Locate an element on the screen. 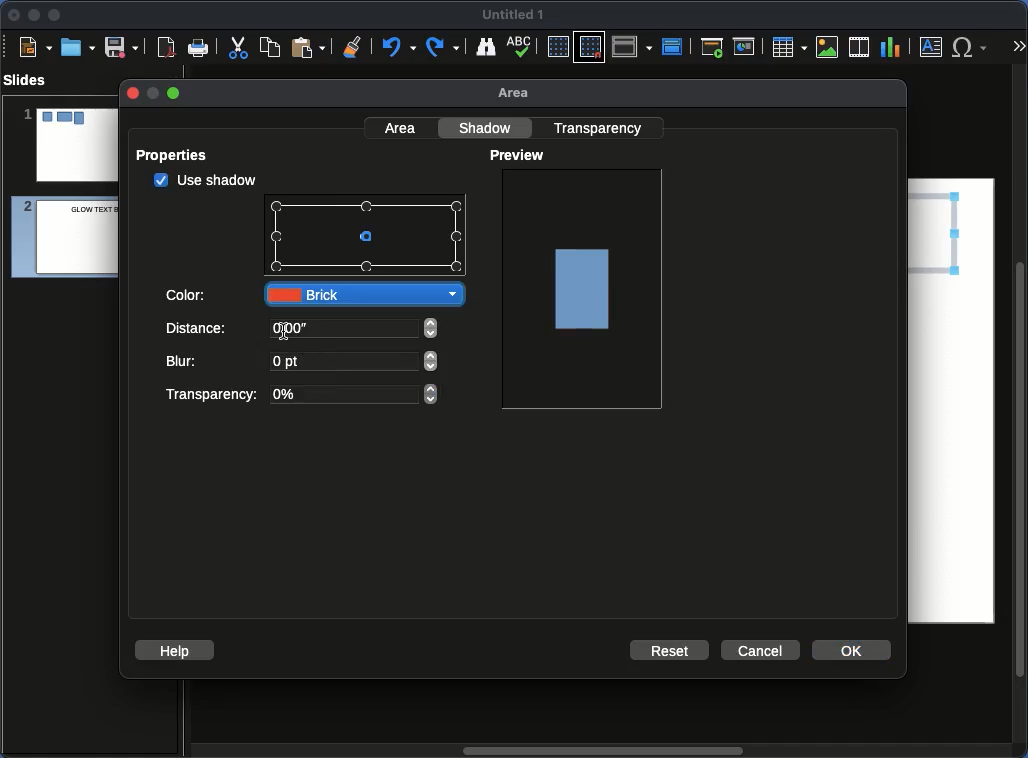  Ope is located at coordinates (78, 46).